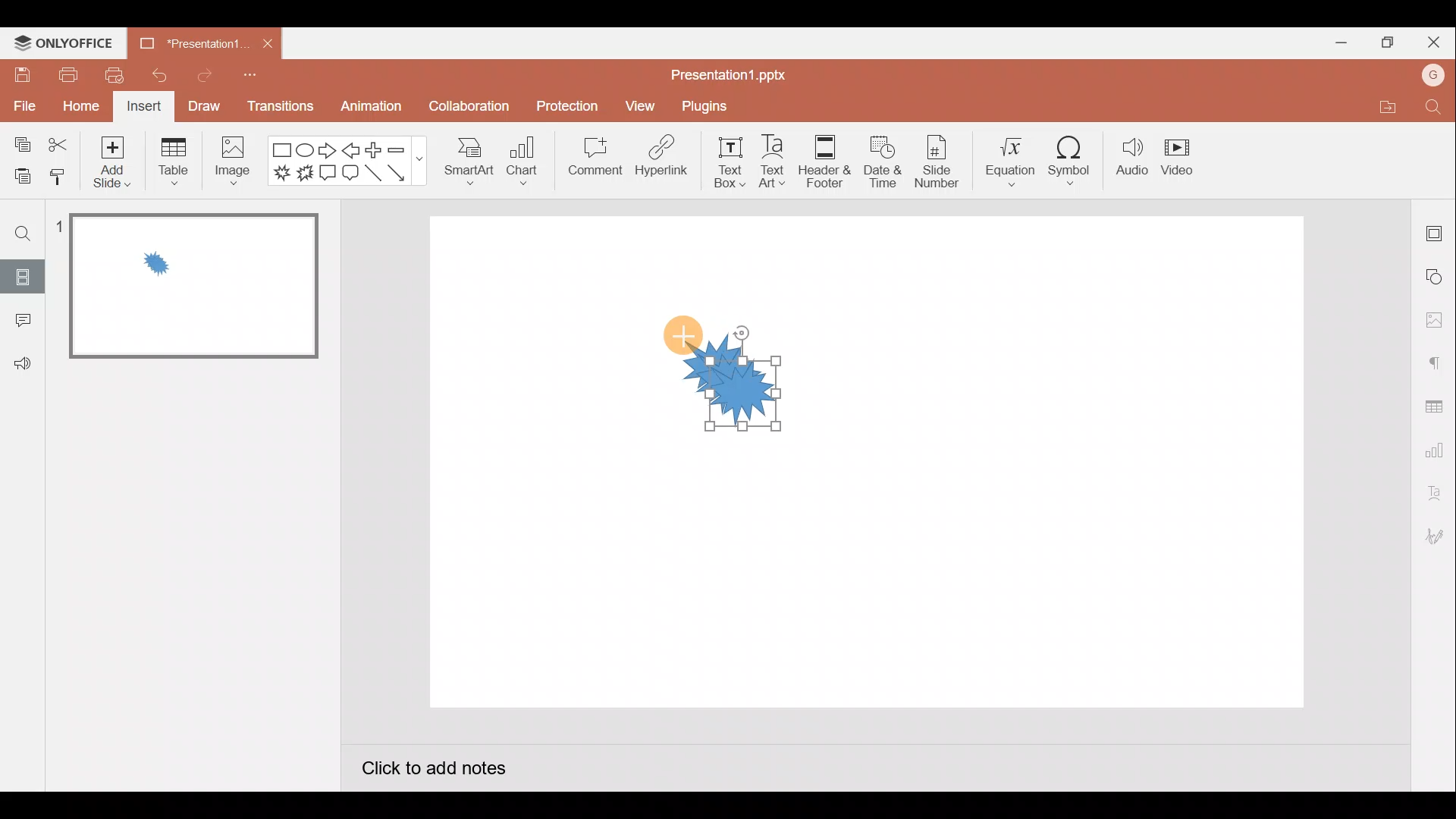 This screenshot has width=1456, height=819. I want to click on Shape settings, so click(1437, 275).